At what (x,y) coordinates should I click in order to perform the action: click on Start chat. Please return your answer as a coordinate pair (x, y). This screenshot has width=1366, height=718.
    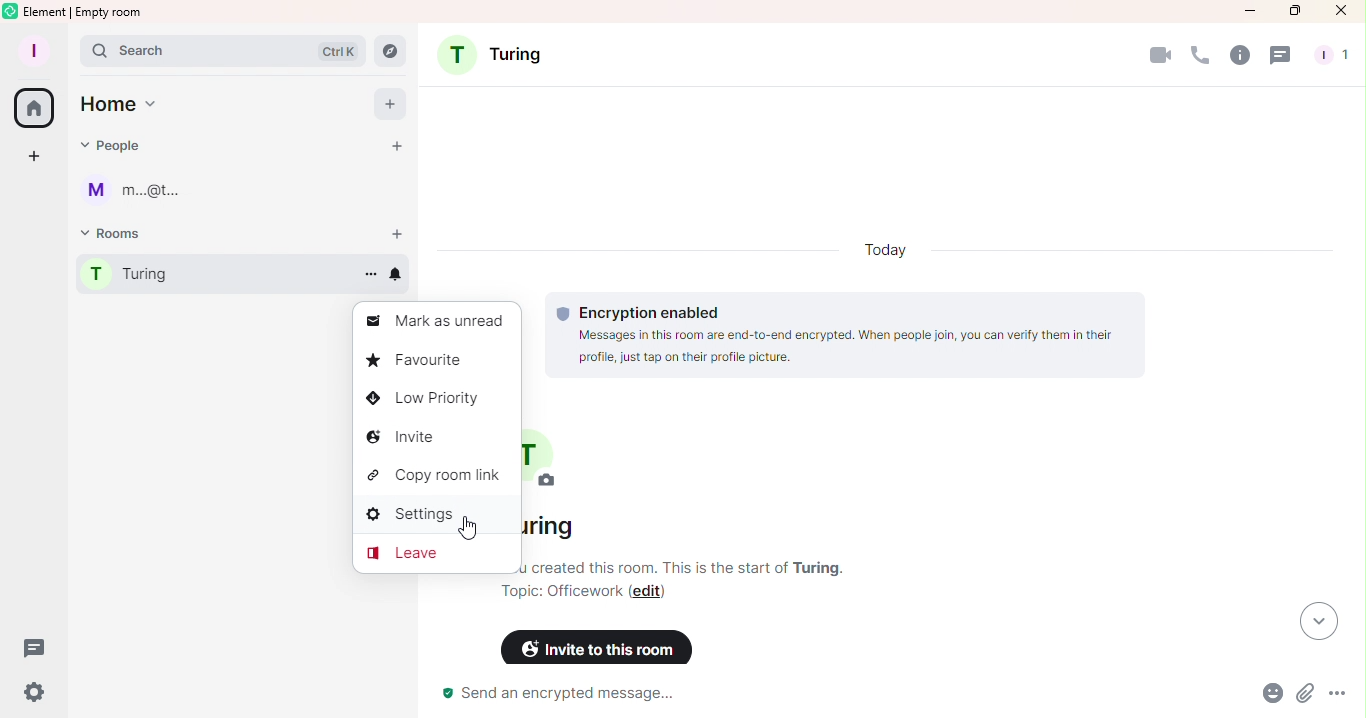
    Looking at the image, I should click on (398, 147).